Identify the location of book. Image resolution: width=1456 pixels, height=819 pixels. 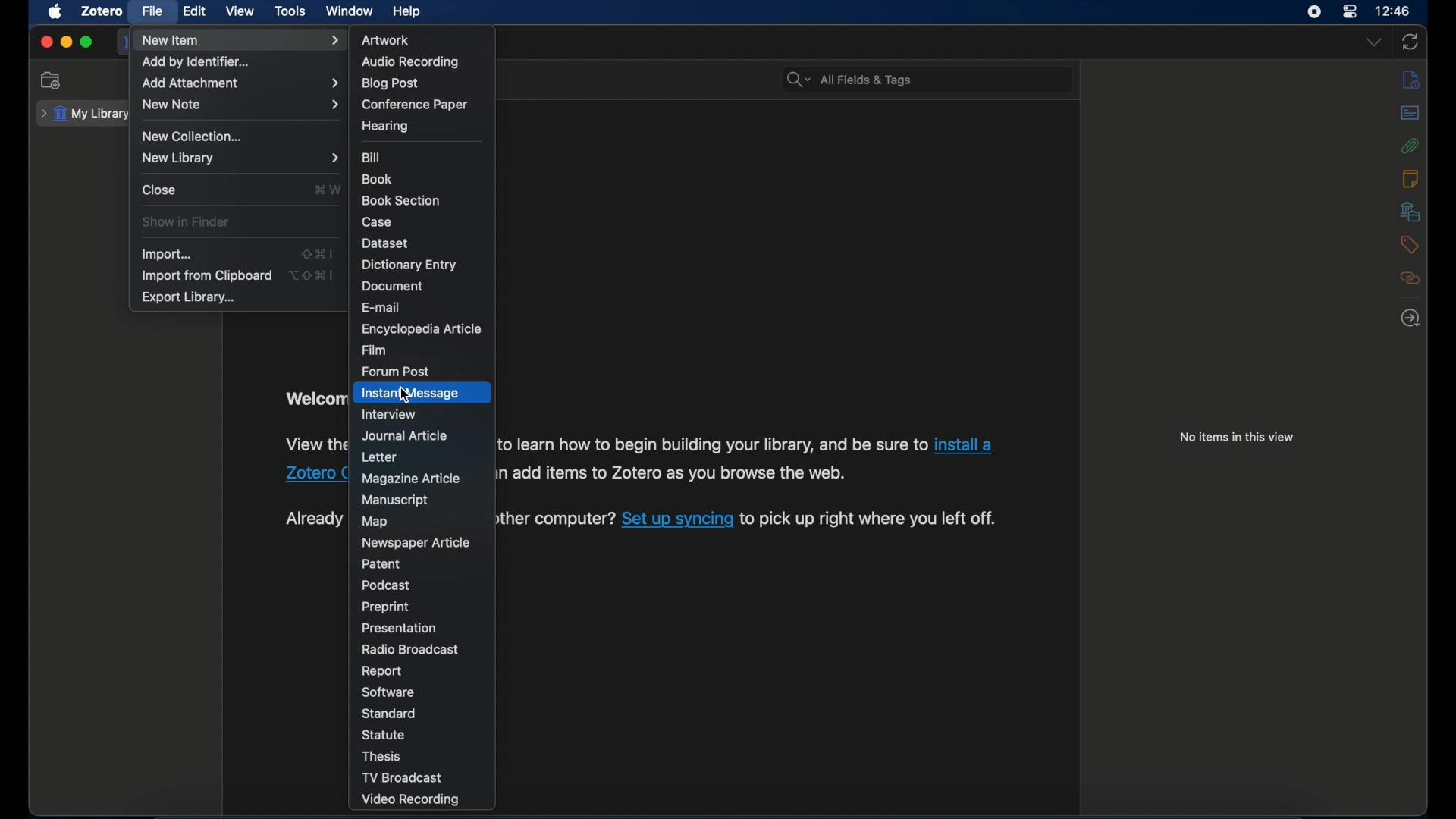
(378, 179).